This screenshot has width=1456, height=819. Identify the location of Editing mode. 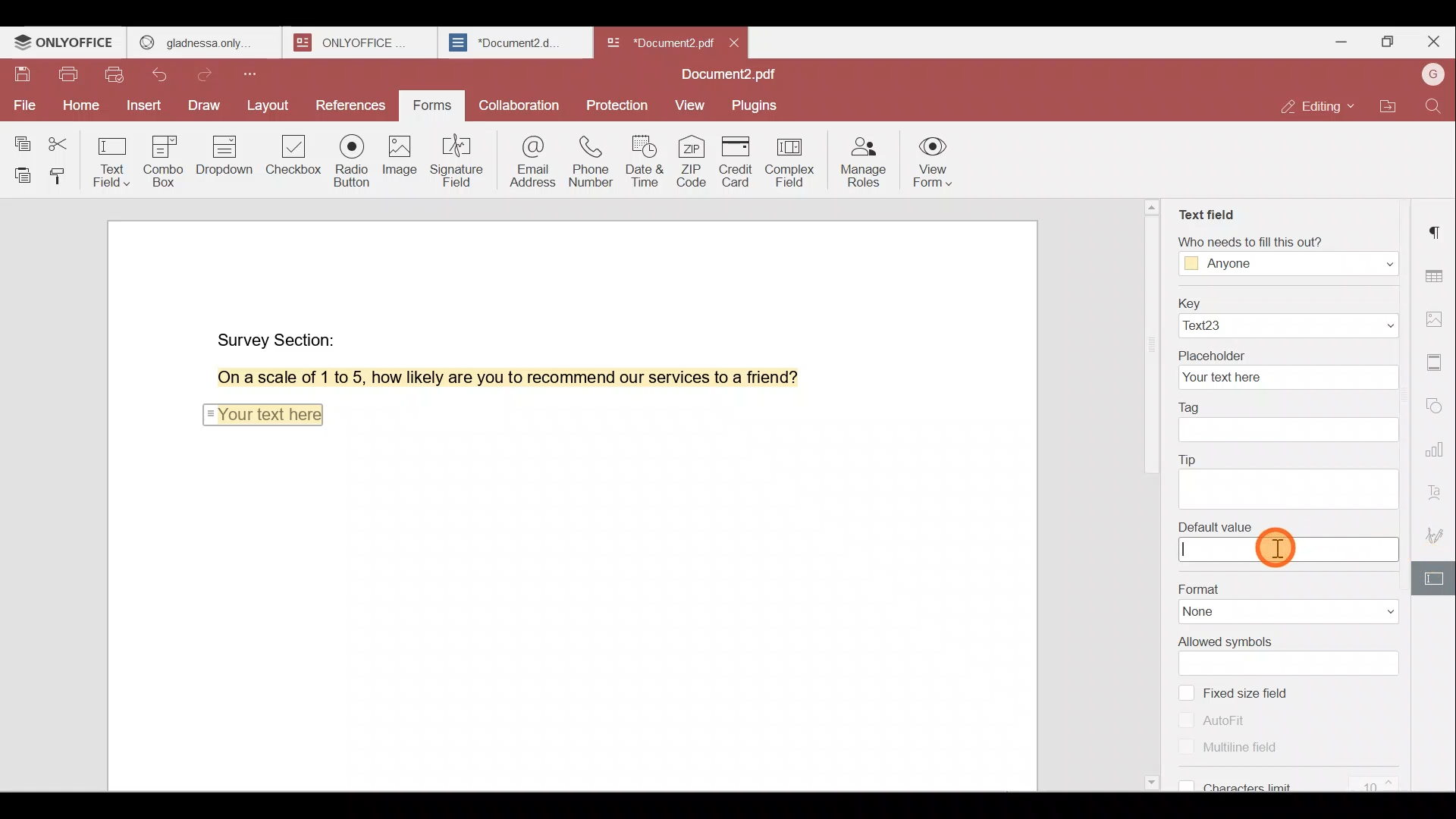
(1320, 106).